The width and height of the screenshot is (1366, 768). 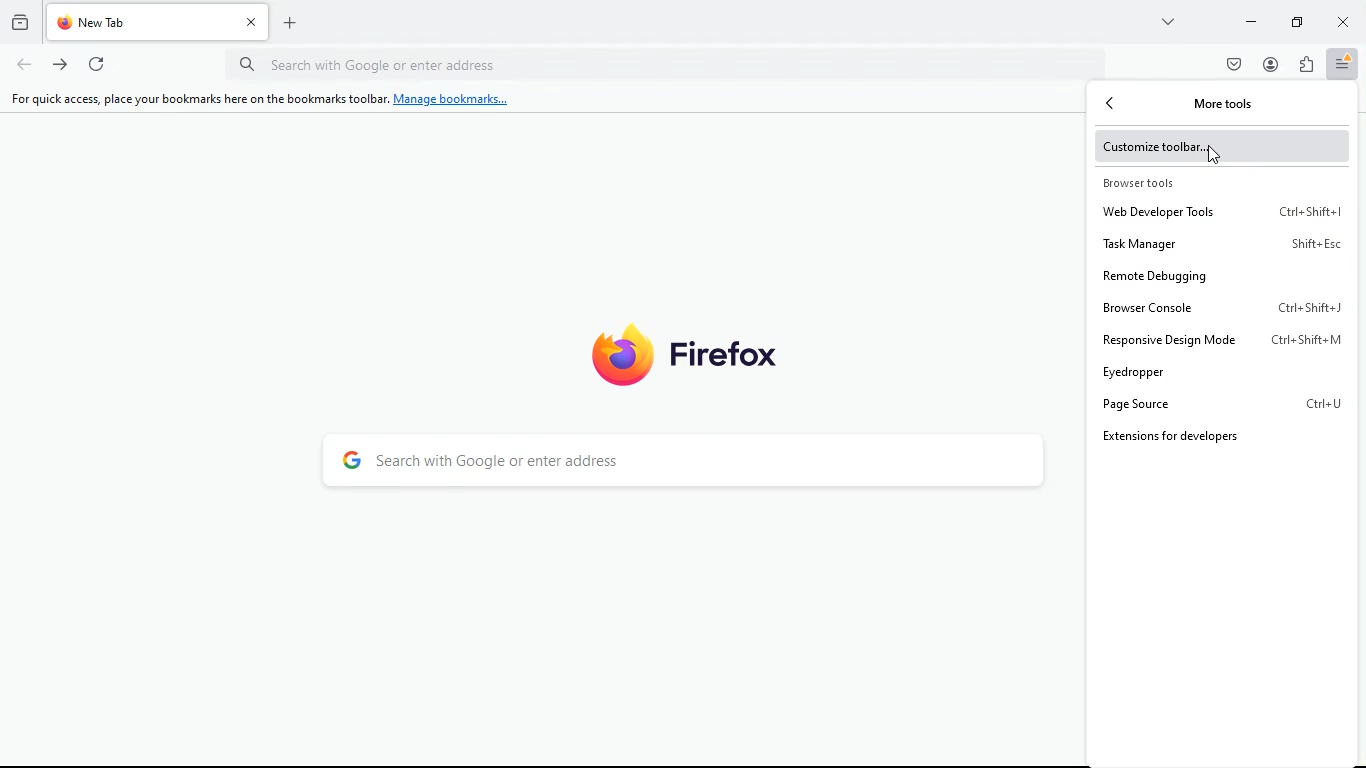 I want to click on url, so click(x=654, y=64).